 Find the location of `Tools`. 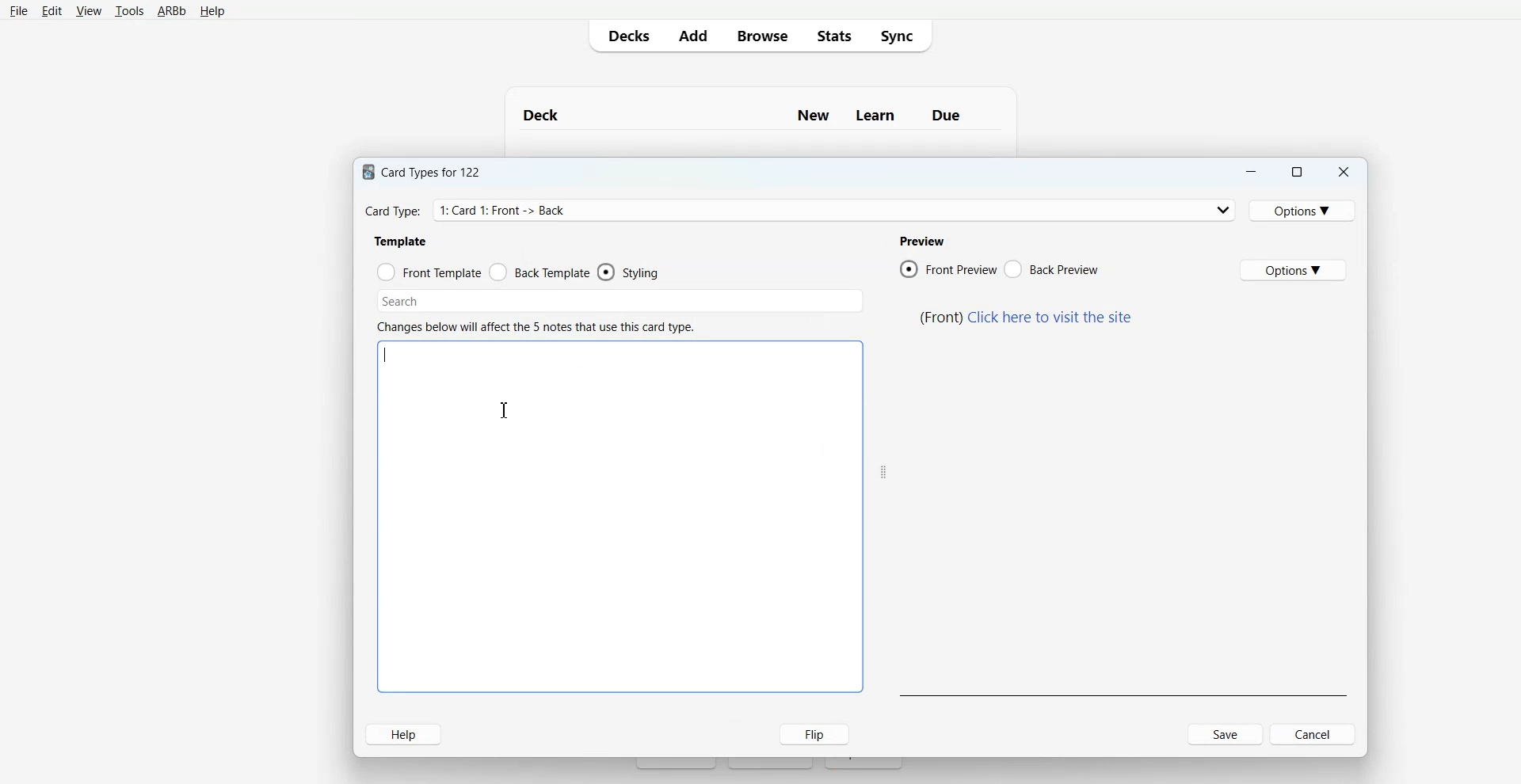

Tools is located at coordinates (129, 11).